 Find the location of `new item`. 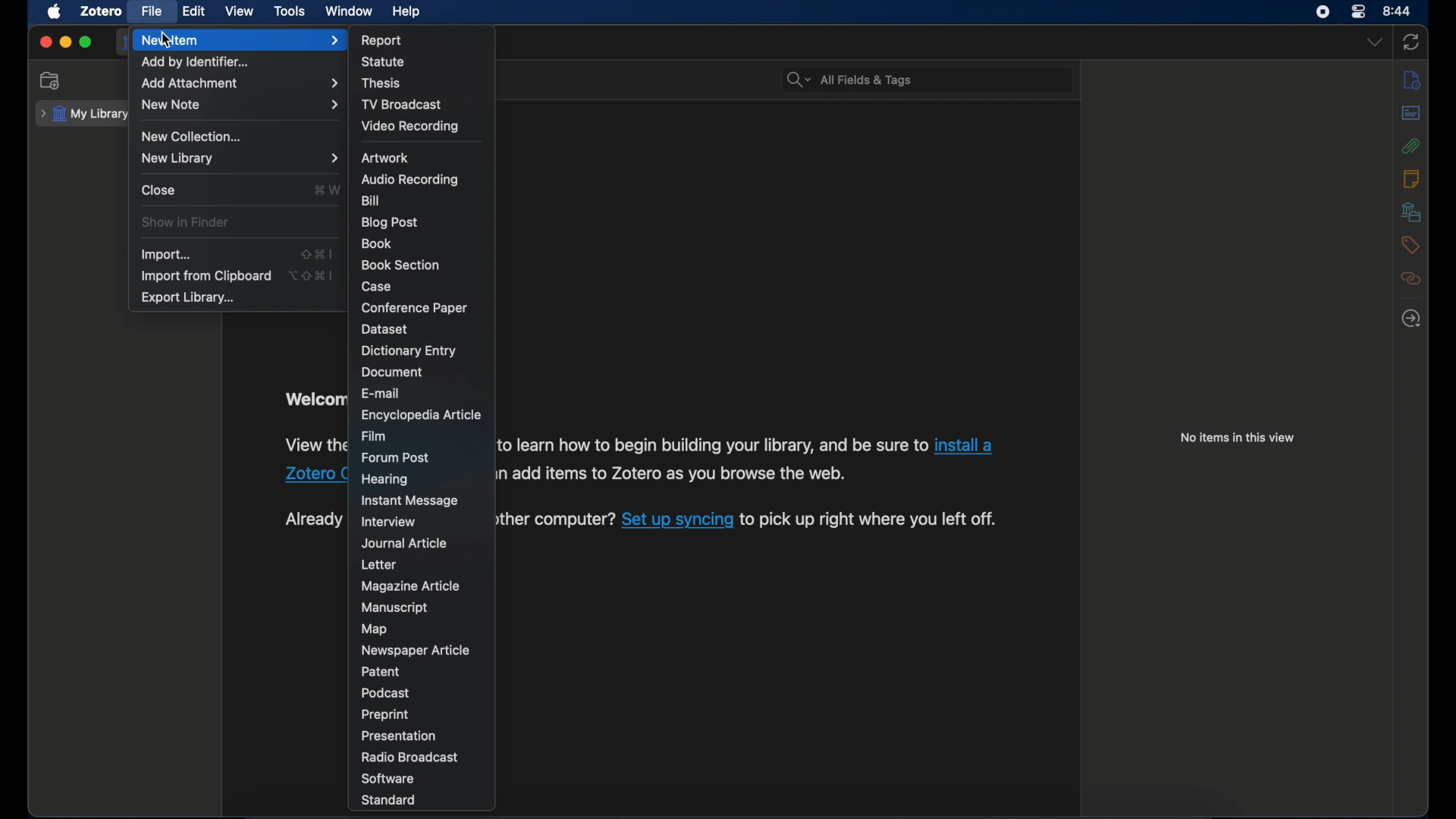

new item is located at coordinates (238, 39).